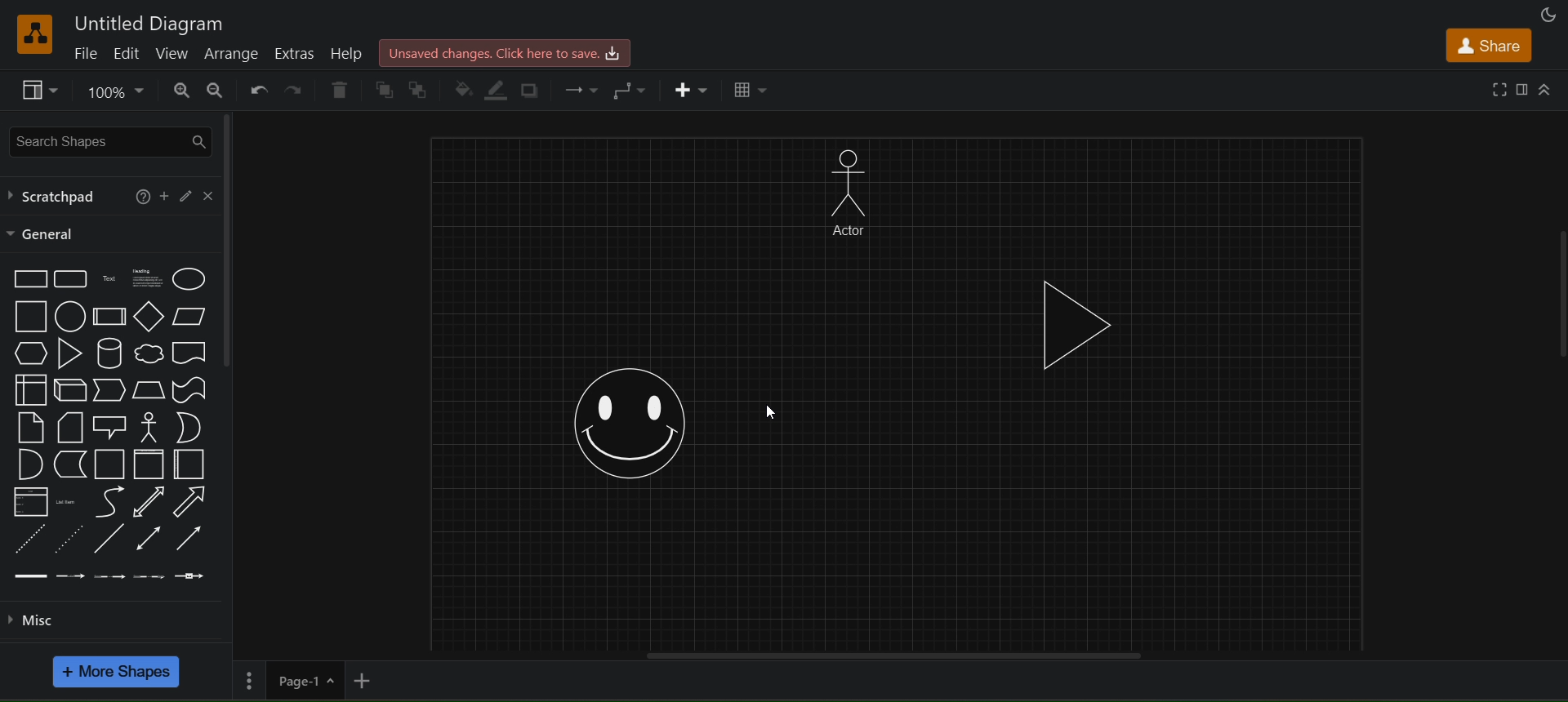  What do you see at coordinates (900, 655) in the screenshot?
I see `horizontal scroll bar` at bounding box center [900, 655].